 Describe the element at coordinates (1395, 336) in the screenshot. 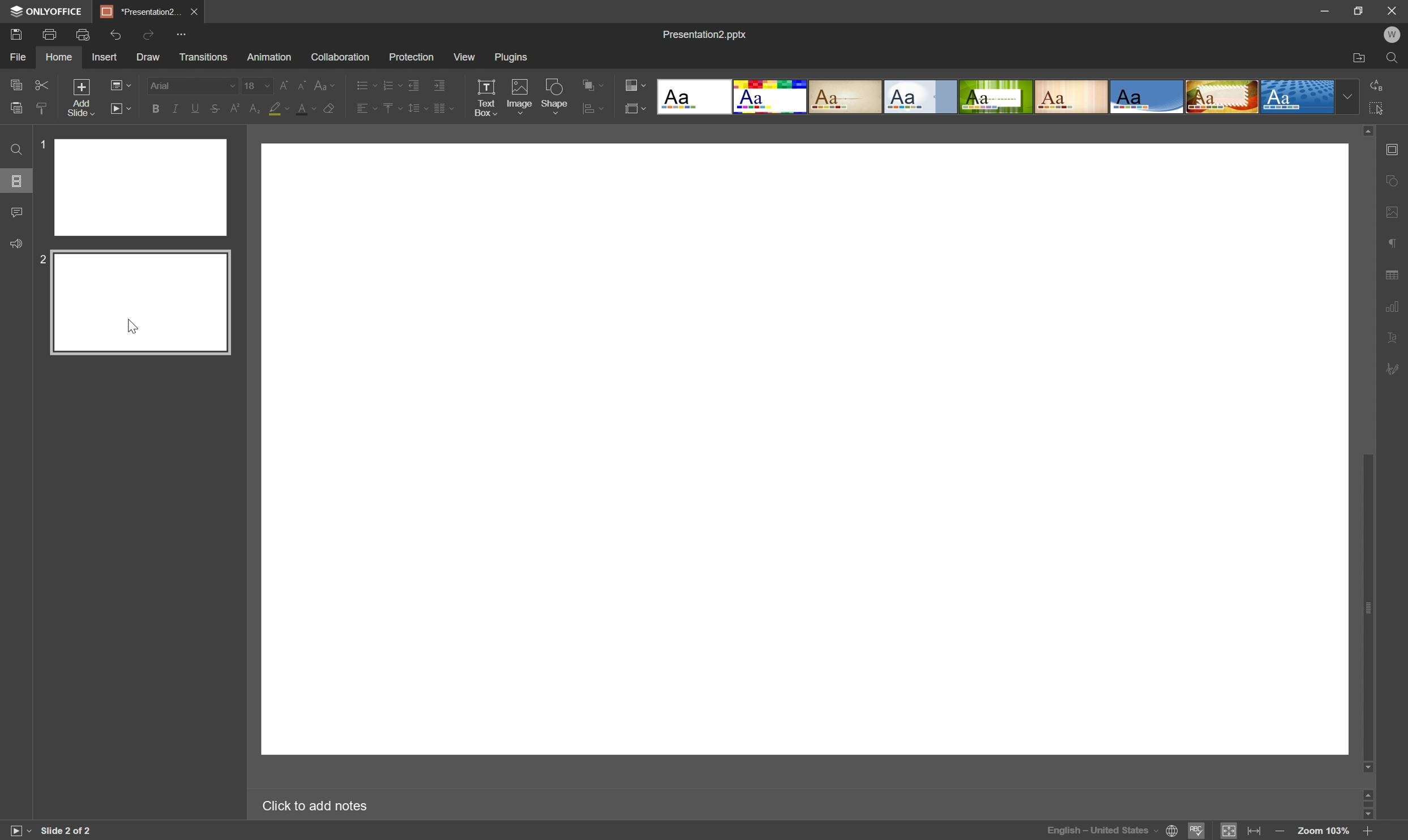

I see `Text Art settings` at that location.